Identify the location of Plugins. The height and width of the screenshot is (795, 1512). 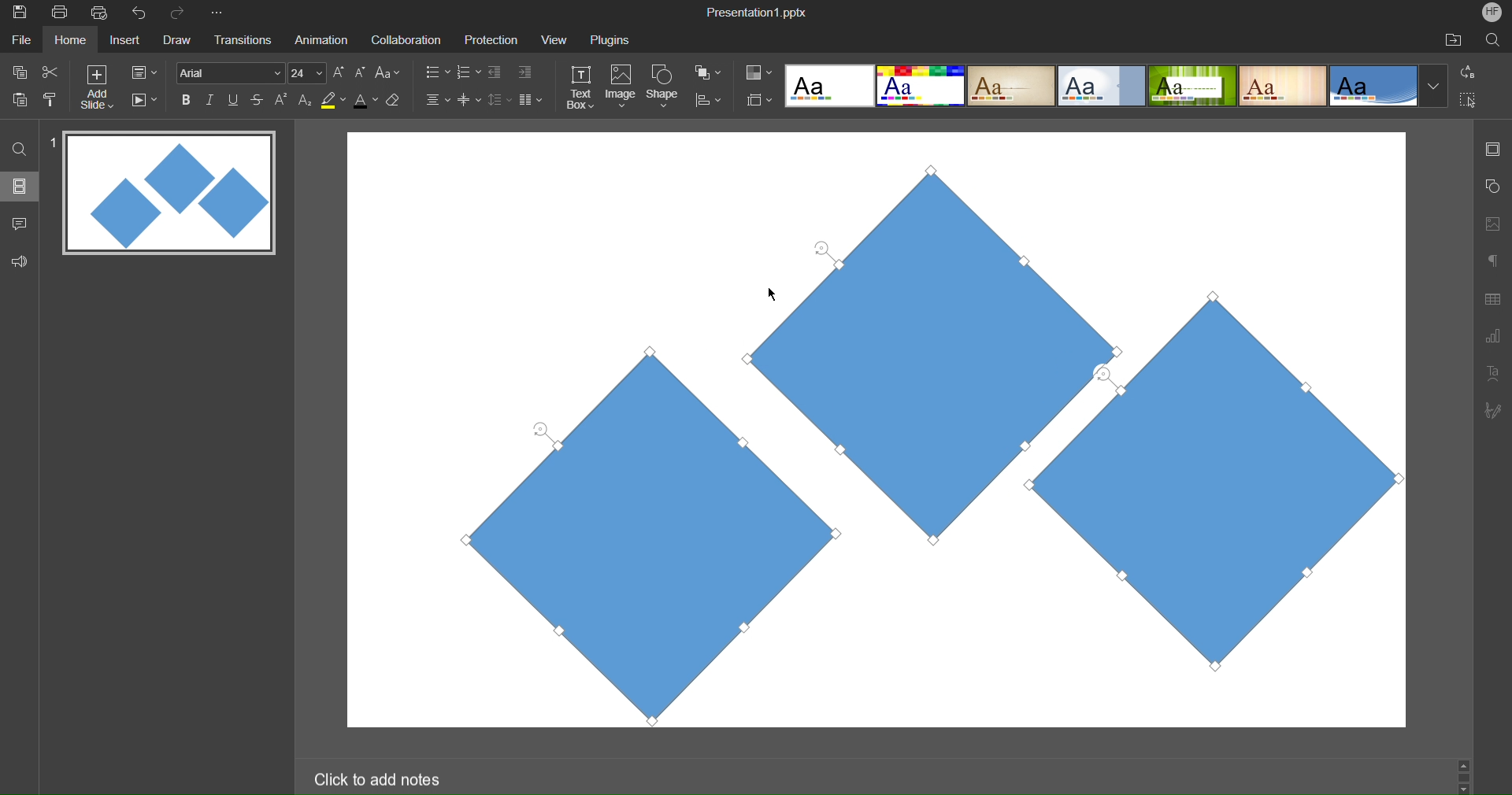
(612, 39).